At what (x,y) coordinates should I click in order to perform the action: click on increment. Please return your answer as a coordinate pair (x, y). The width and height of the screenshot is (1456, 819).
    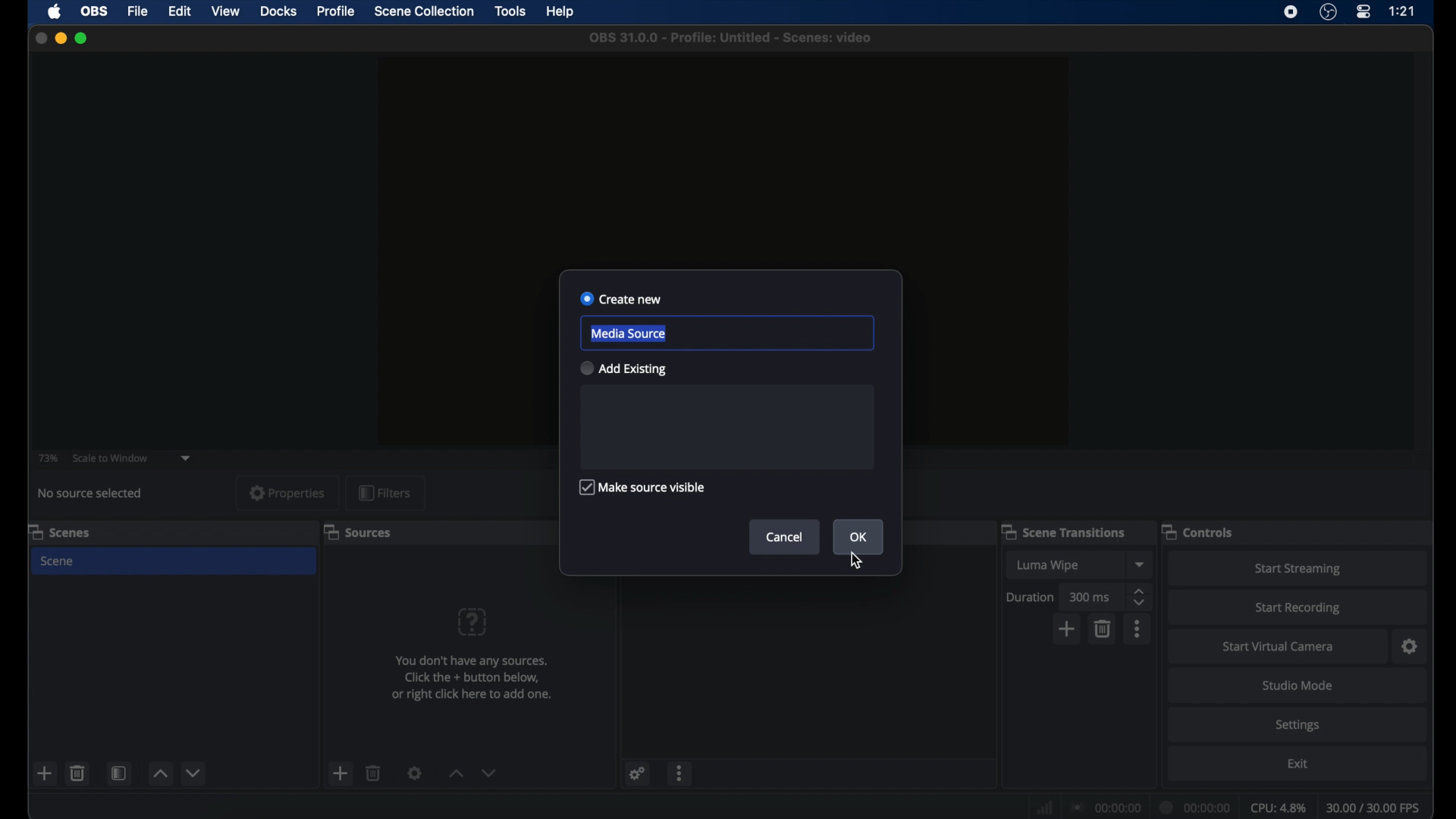
    Looking at the image, I should click on (159, 773).